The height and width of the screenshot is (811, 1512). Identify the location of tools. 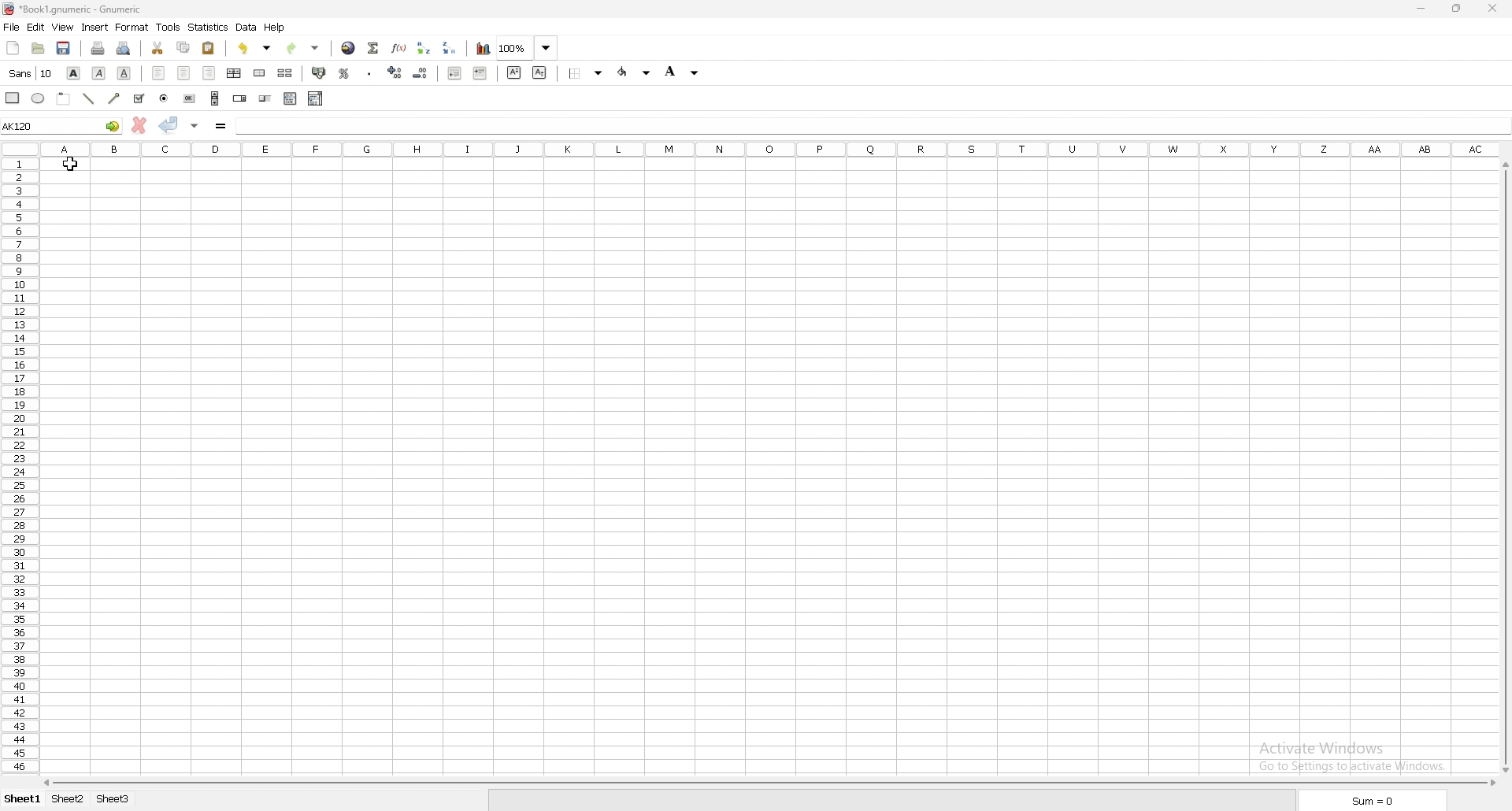
(169, 27).